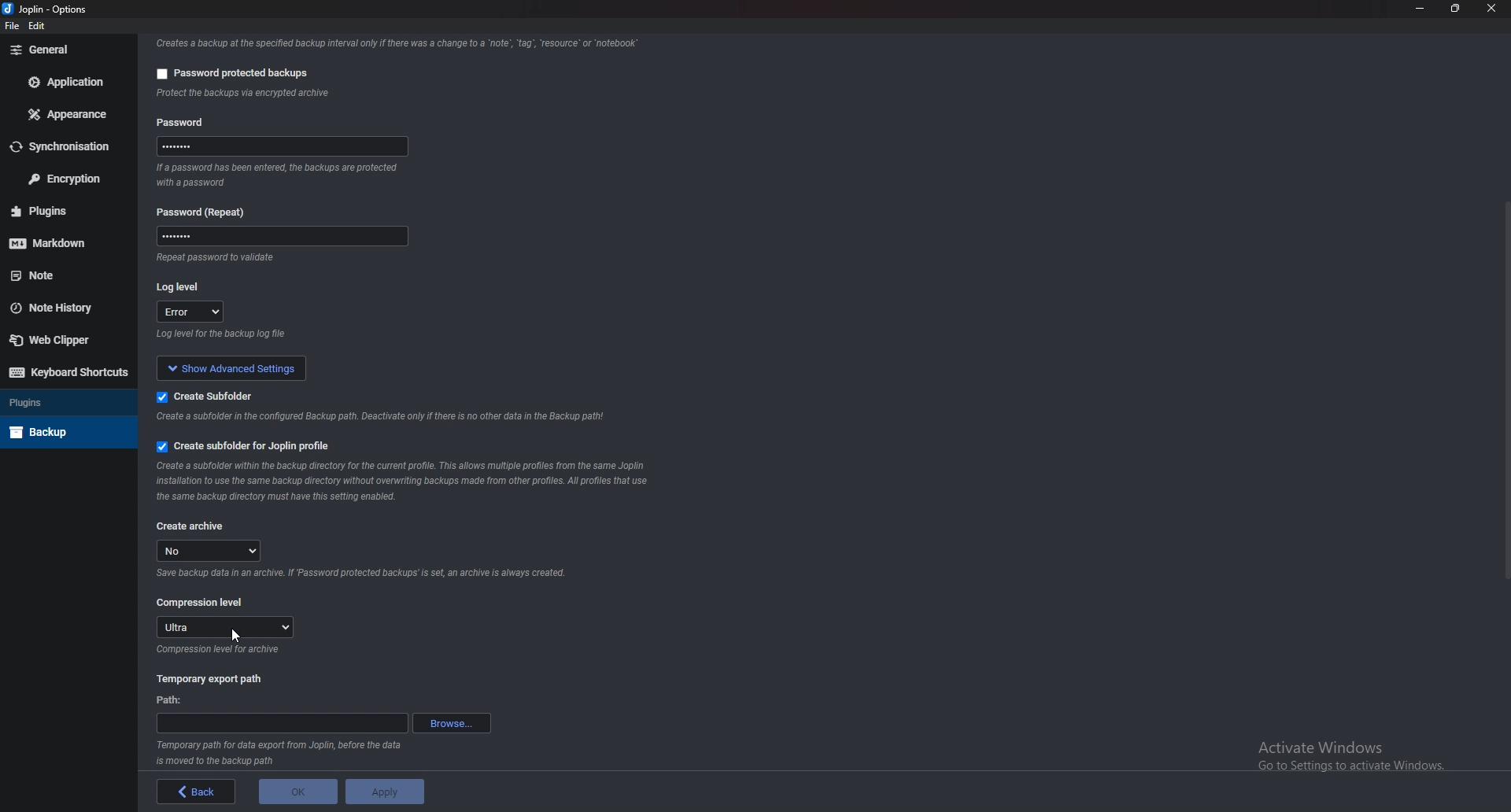 This screenshot has width=1511, height=812. I want to click on file, so click(12, 26).